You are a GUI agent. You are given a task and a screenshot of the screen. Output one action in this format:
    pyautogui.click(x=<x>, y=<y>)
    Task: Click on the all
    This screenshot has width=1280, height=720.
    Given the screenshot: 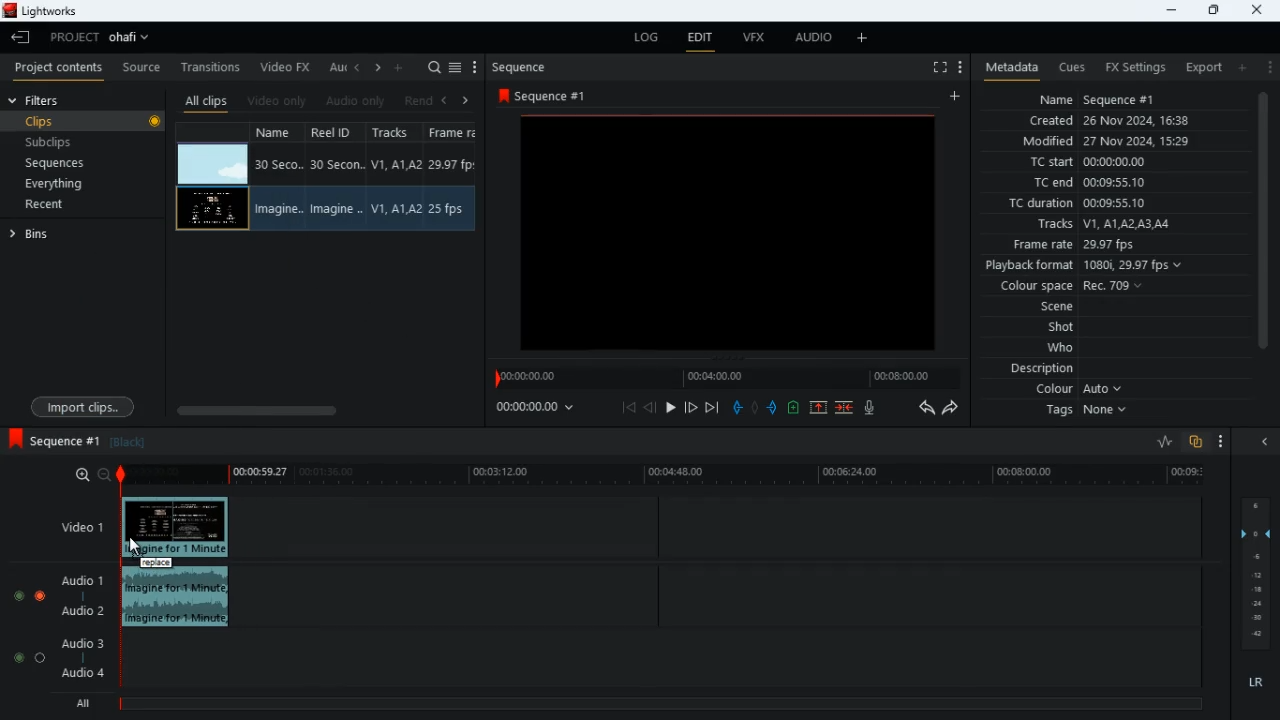 What is the action you would take?
    pyautogui.click(x=80, y=704)
    